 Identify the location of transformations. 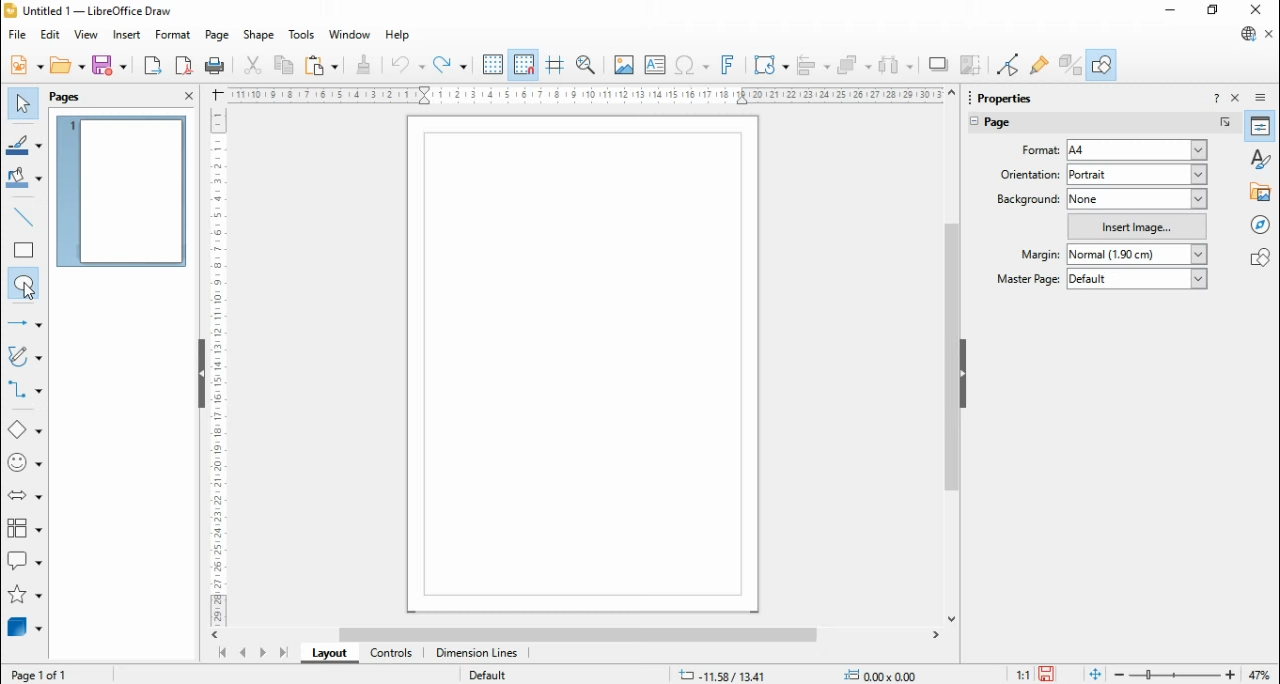
(769, 66).